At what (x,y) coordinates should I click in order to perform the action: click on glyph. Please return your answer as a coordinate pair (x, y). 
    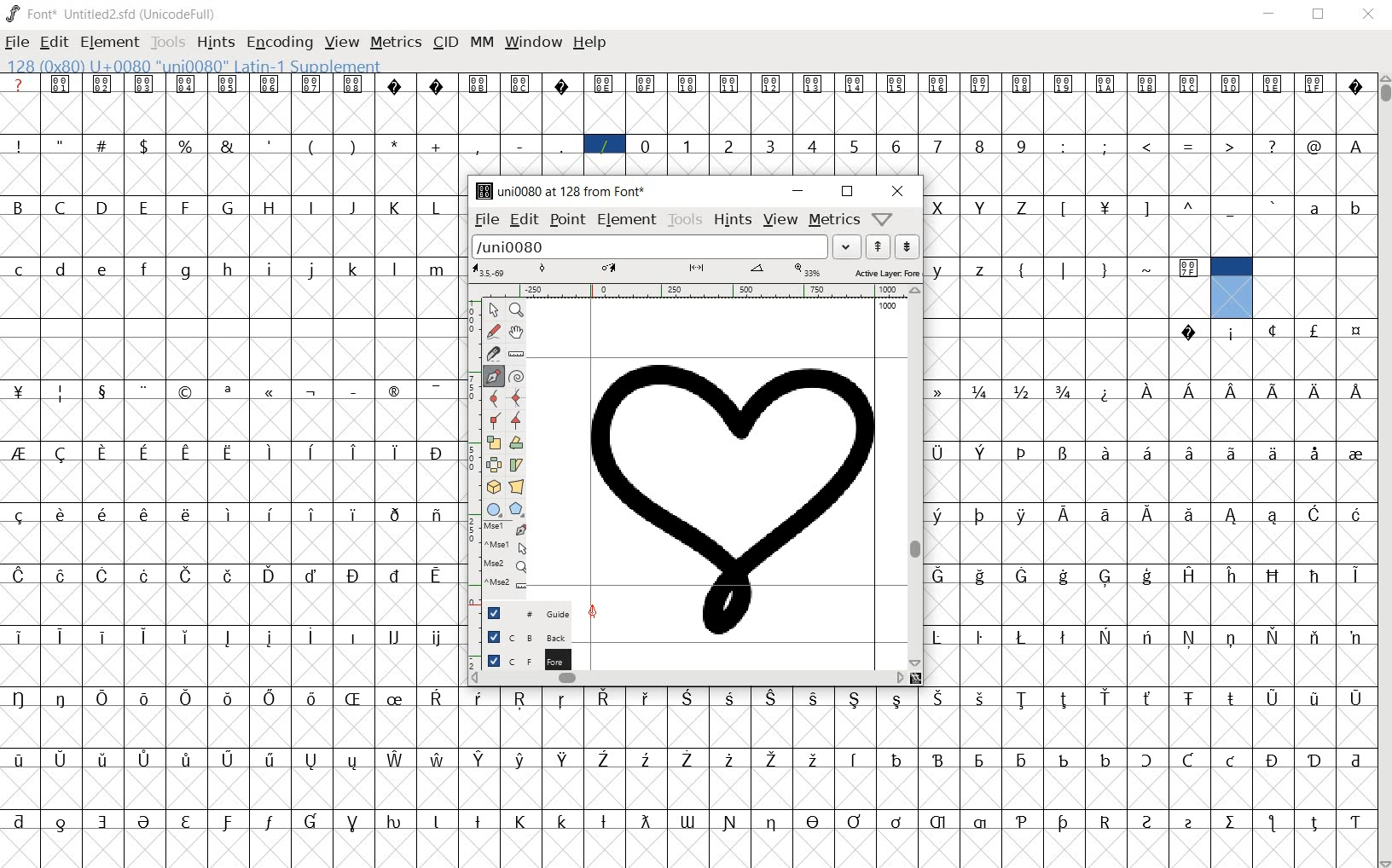
    Looking at the image, I should click on (229, 269).